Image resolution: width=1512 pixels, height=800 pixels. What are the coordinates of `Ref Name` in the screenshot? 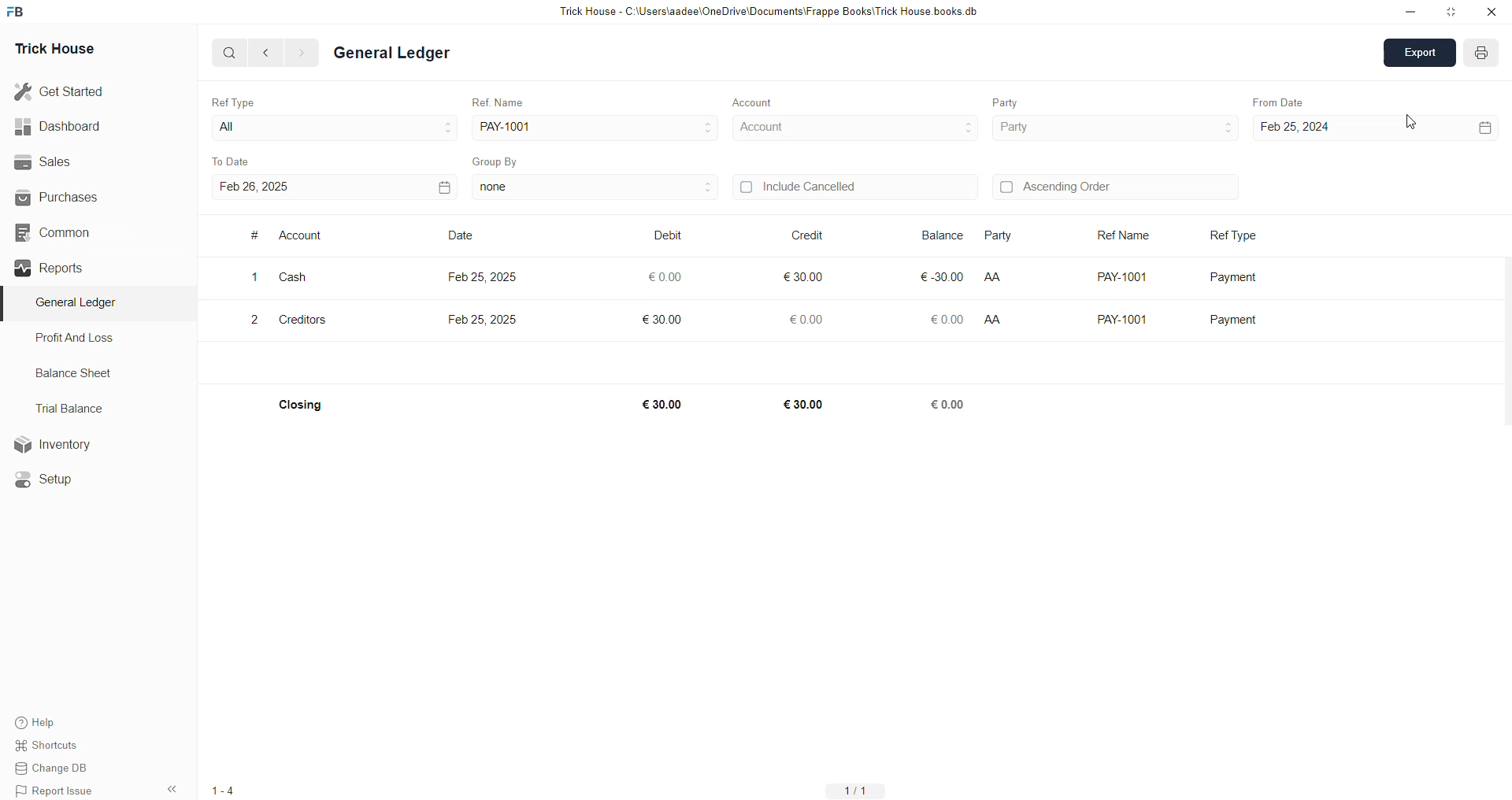 It's located at (1123, 232).